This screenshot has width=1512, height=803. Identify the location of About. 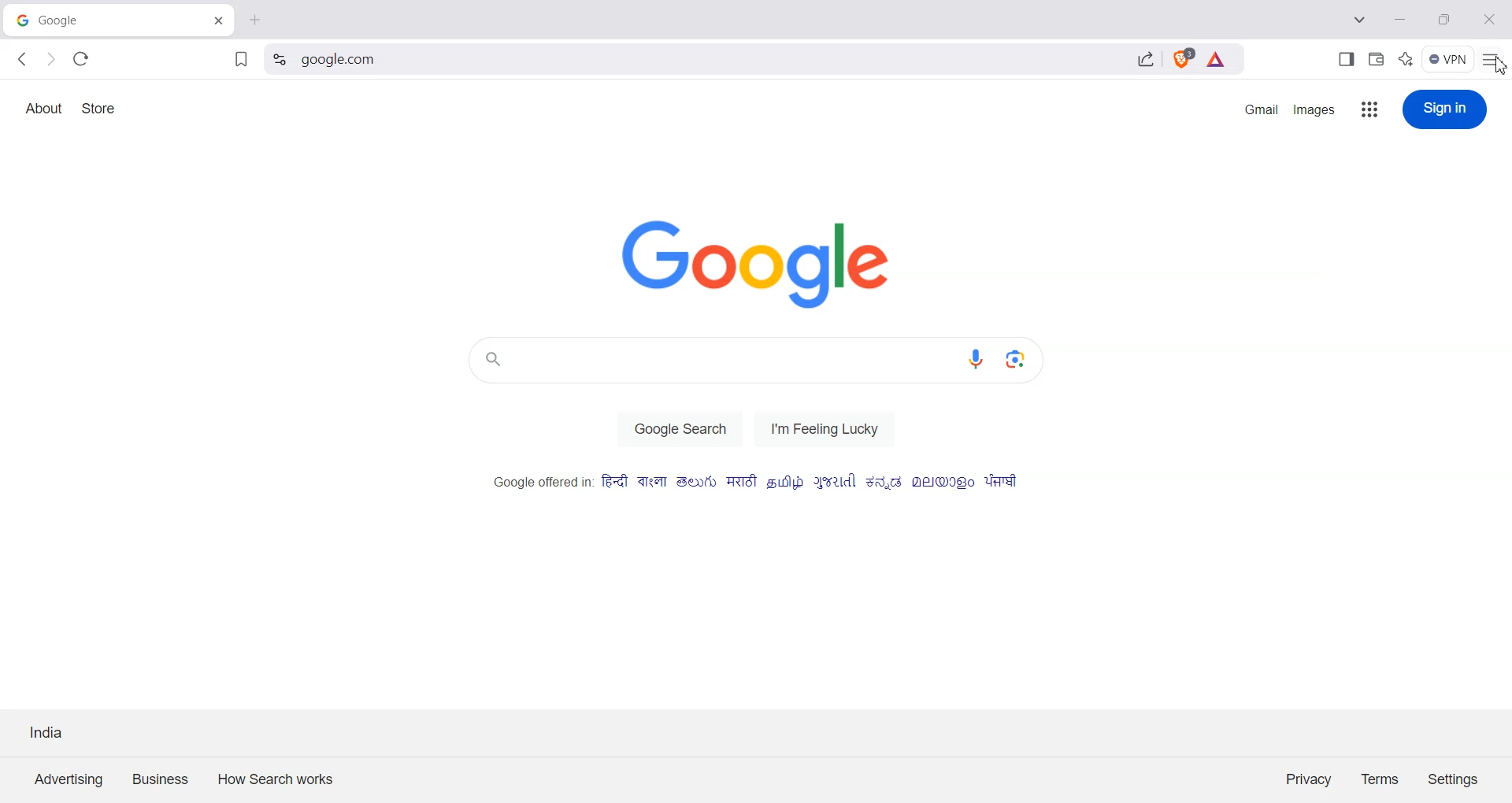
(43, 109).